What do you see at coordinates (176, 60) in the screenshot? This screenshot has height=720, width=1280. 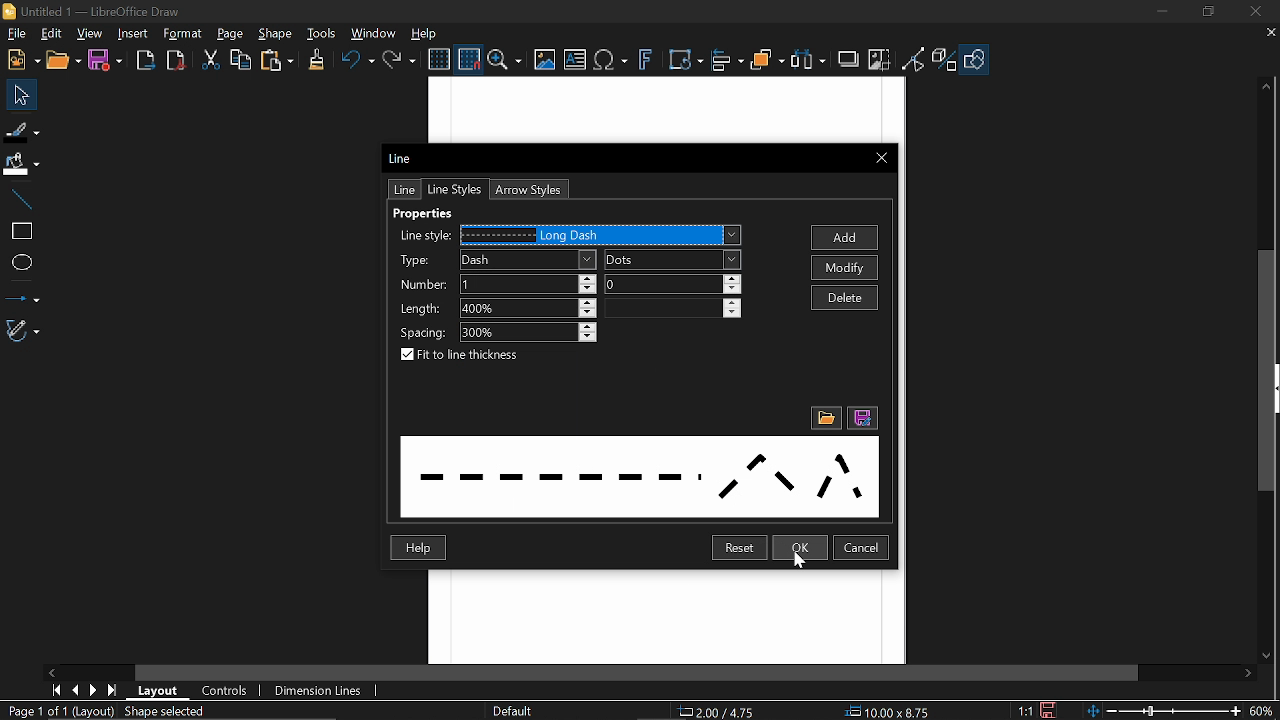 I see `Export to pdf` at bounding box center [176, 60].